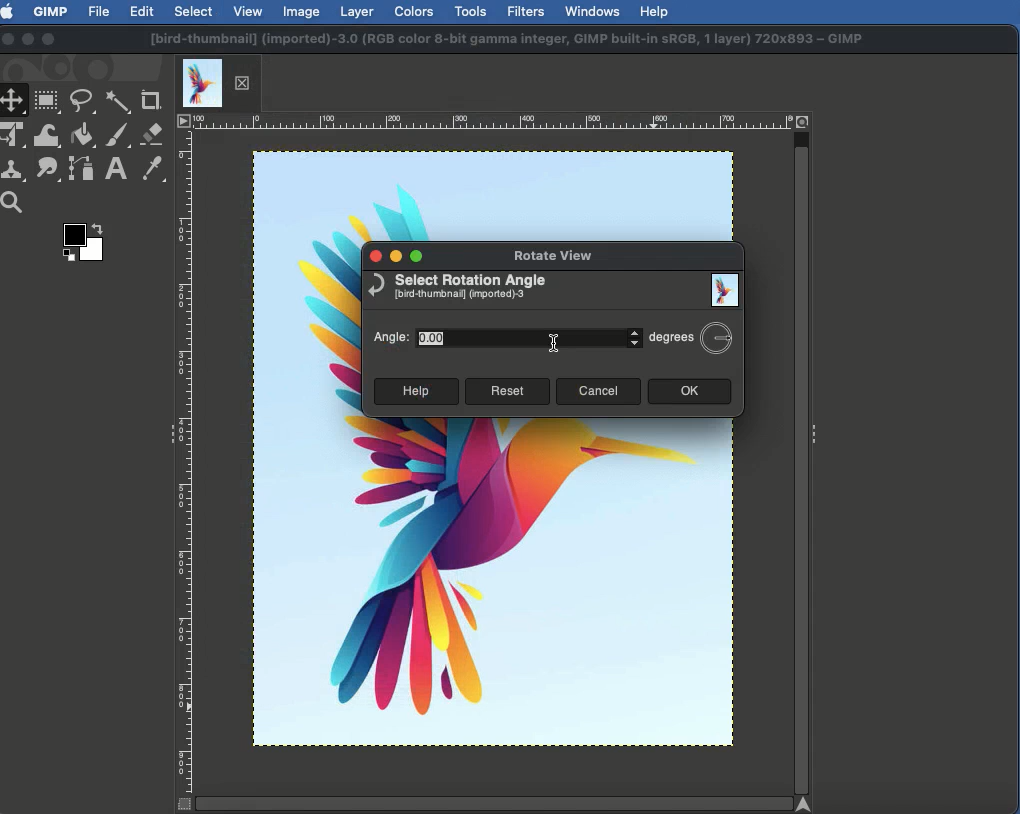 The image size is (1020, 814). Describe the element at coordinates (414, 392) in the screenshot. I see `Help` at that location.